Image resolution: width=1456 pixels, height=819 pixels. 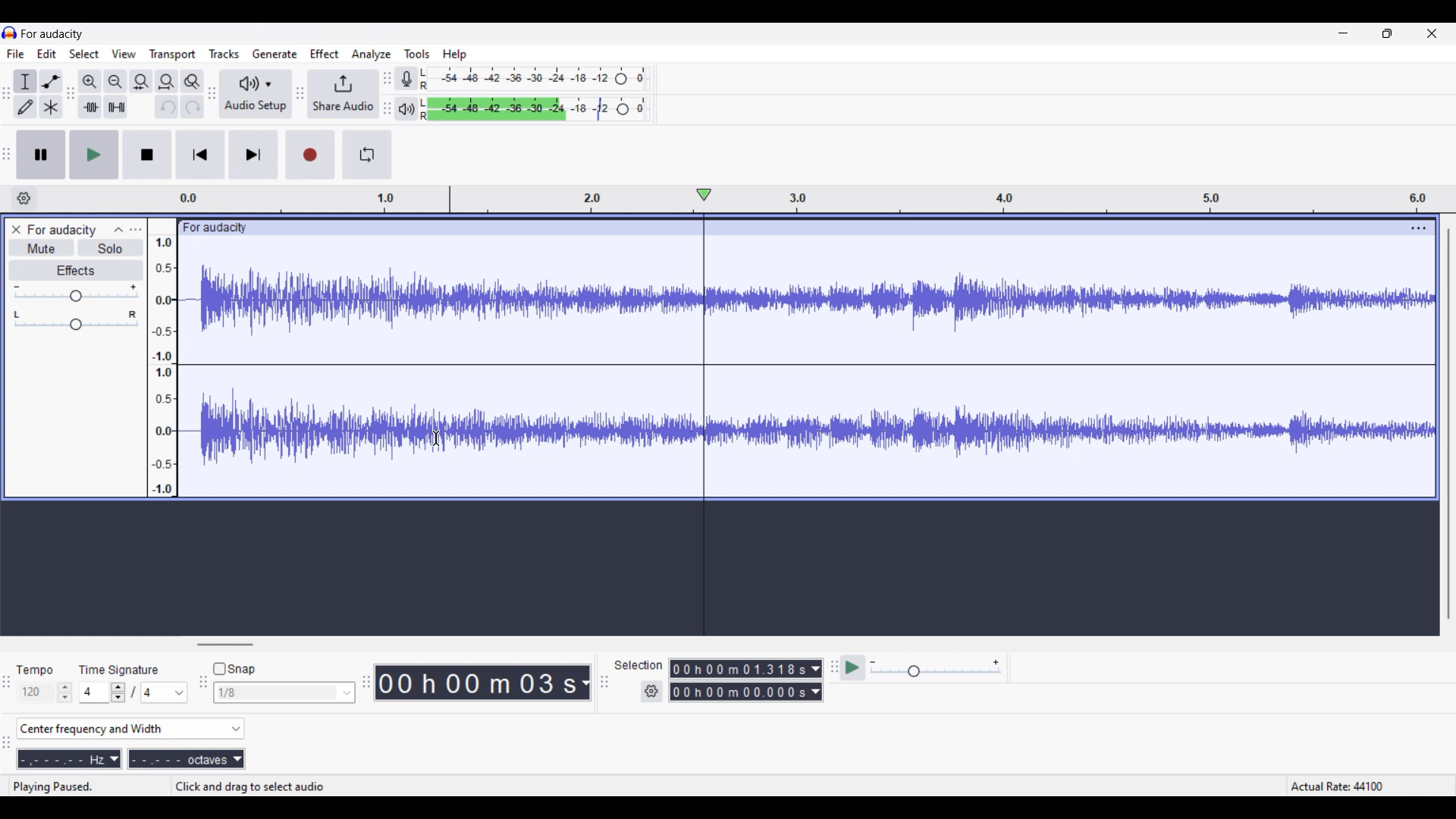 I want to click on Play at speed/Play at speed once, so click(x=852, y=668).